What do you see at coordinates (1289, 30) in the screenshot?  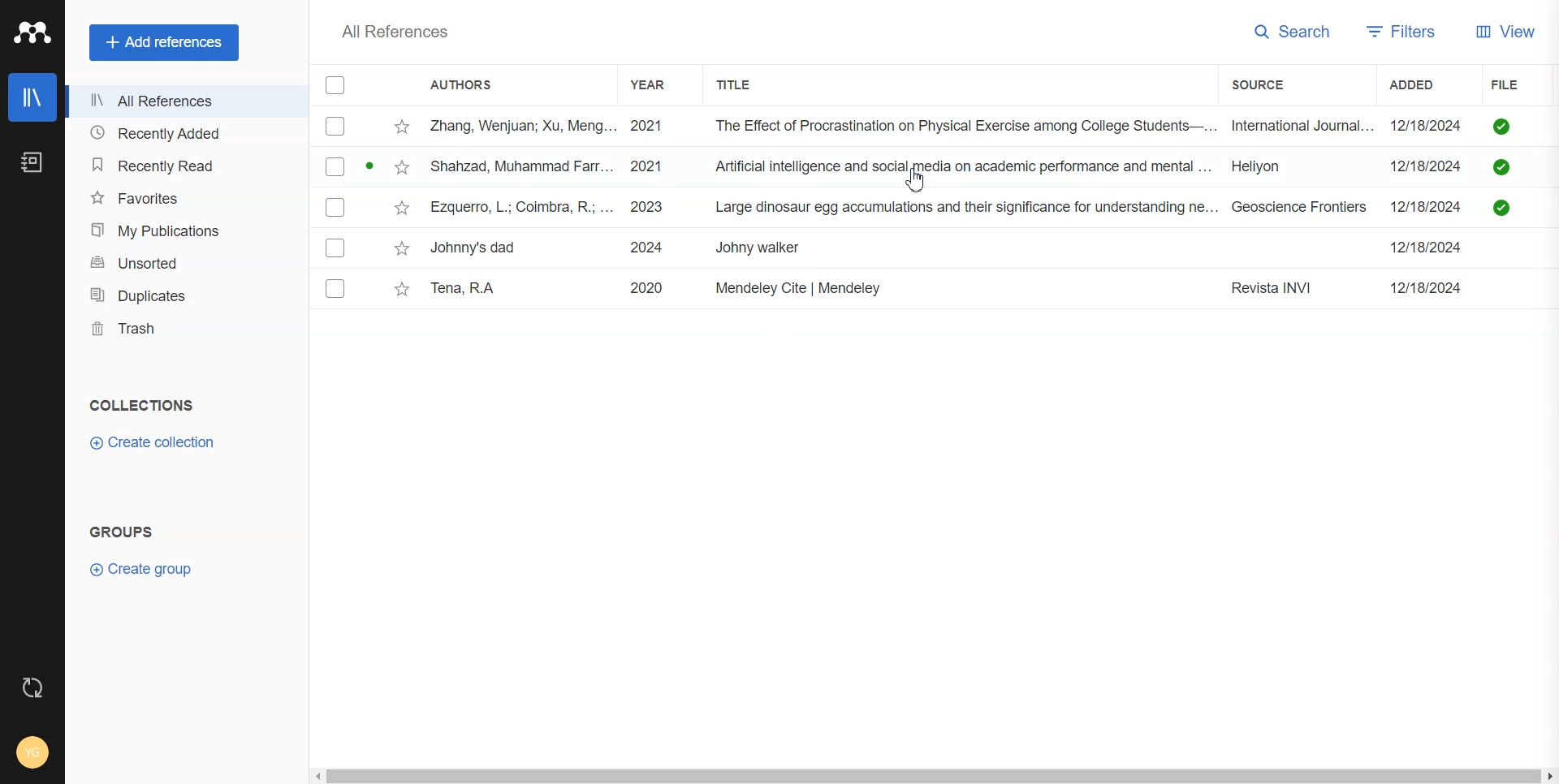 I see `Search` at bounding box center [1289, 30].